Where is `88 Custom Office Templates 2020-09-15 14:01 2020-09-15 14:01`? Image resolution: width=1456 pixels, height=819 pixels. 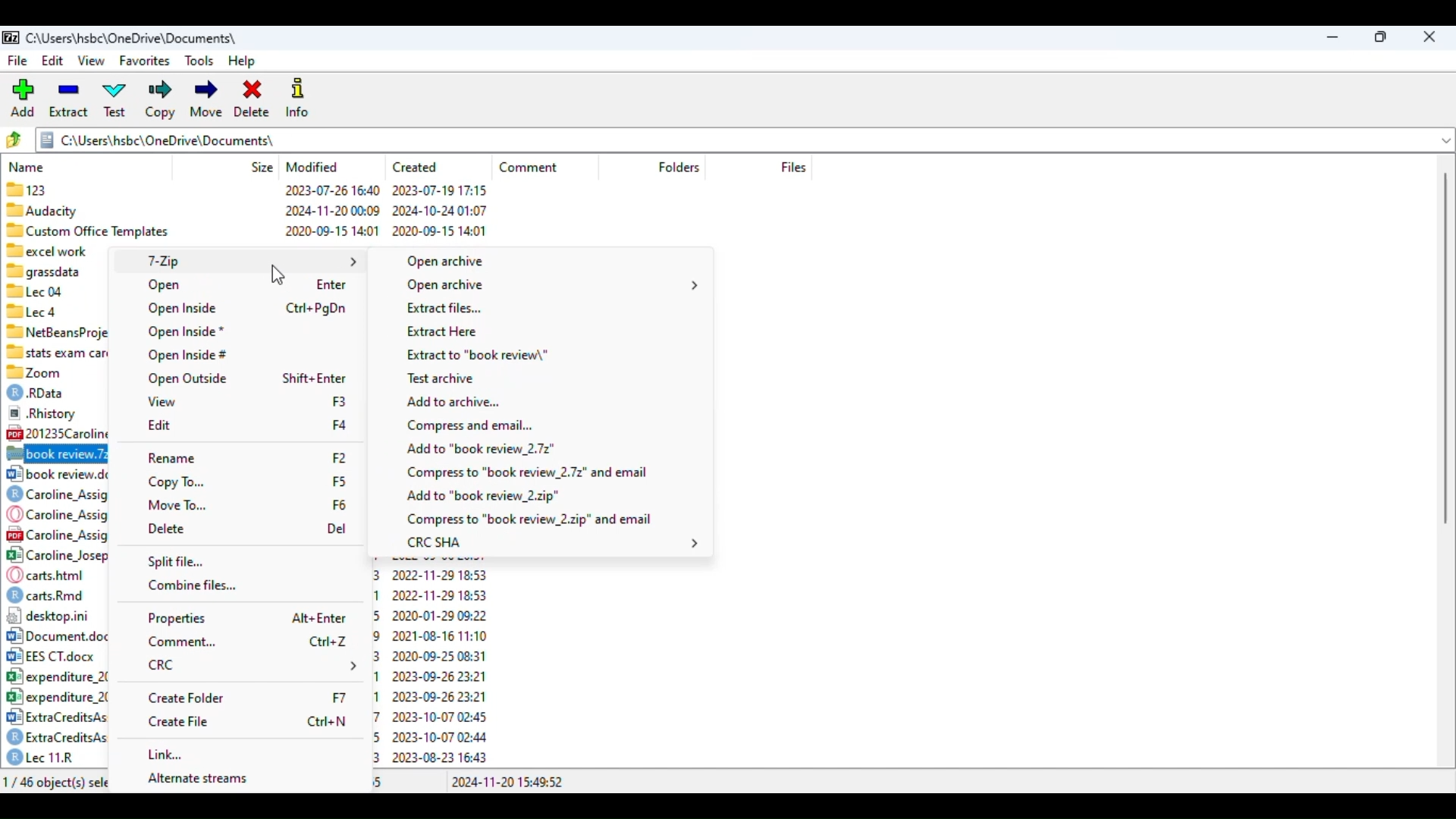 88 Custom Office Templates 2020-09-15 14:01 2020-09-15 14:01 is located at coordinates (247, 229).